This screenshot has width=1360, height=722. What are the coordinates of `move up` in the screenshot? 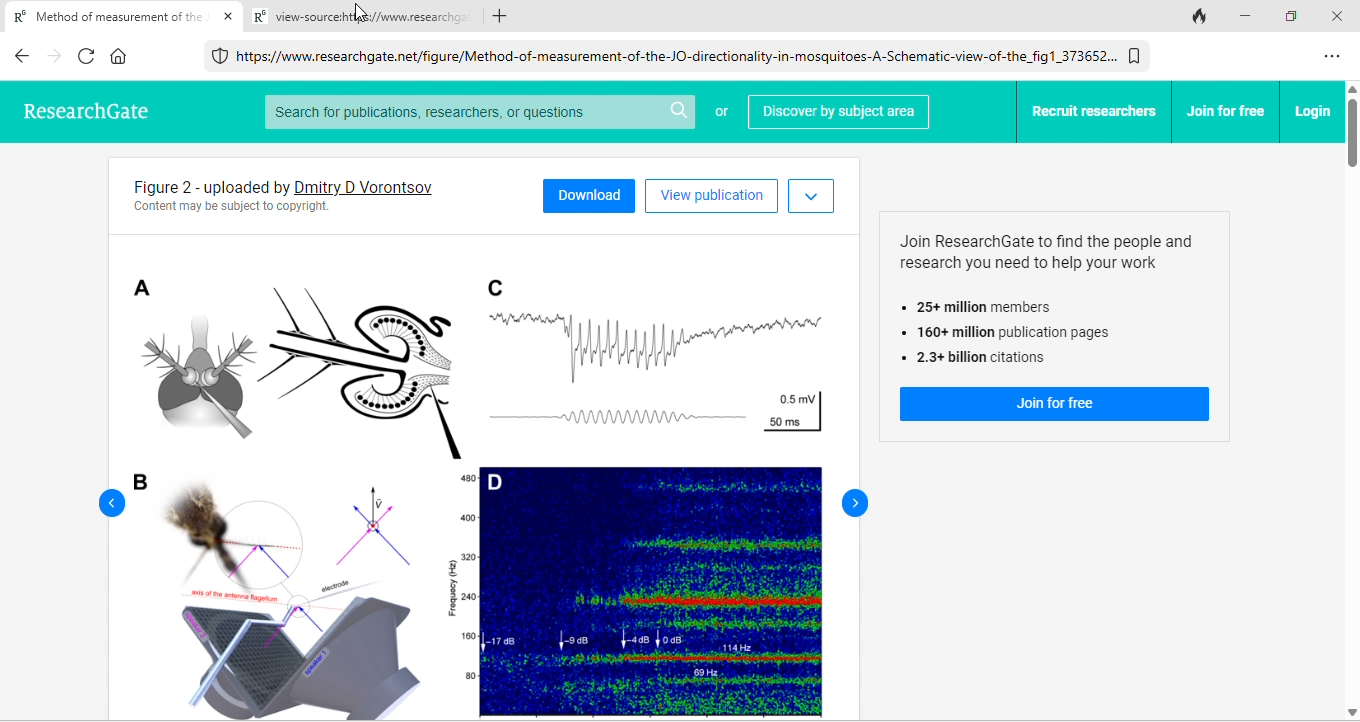 It's located at (1352, 89).